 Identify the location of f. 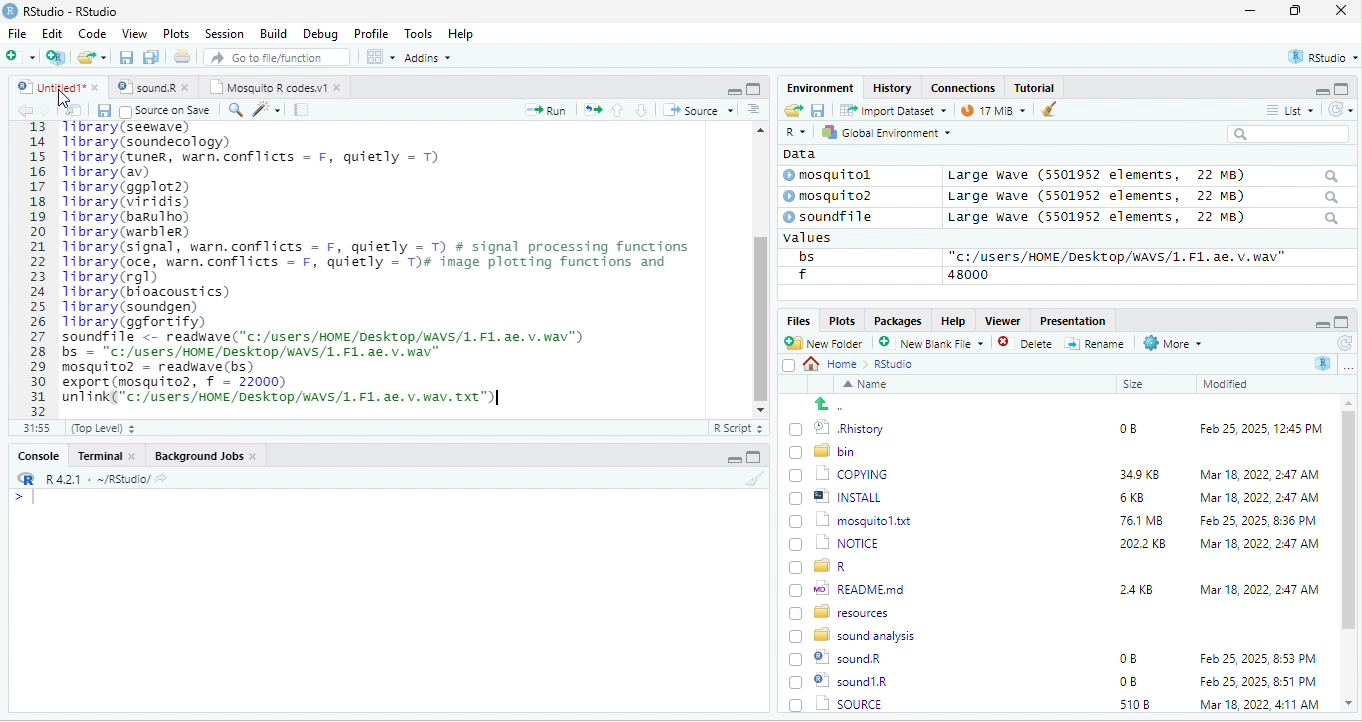
(802, 275).